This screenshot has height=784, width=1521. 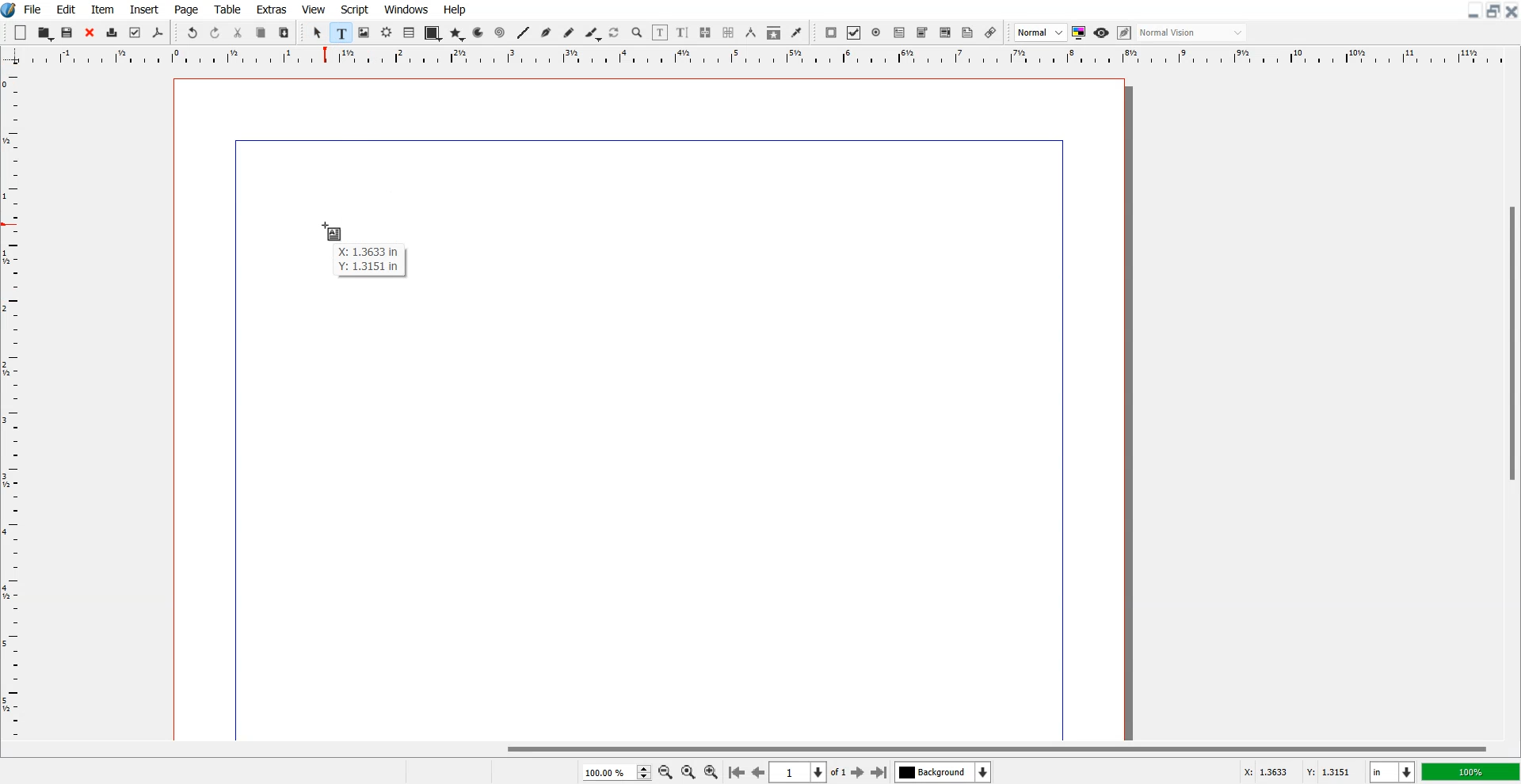 I want to click on Zoom Out, so click(x=666, y=773).